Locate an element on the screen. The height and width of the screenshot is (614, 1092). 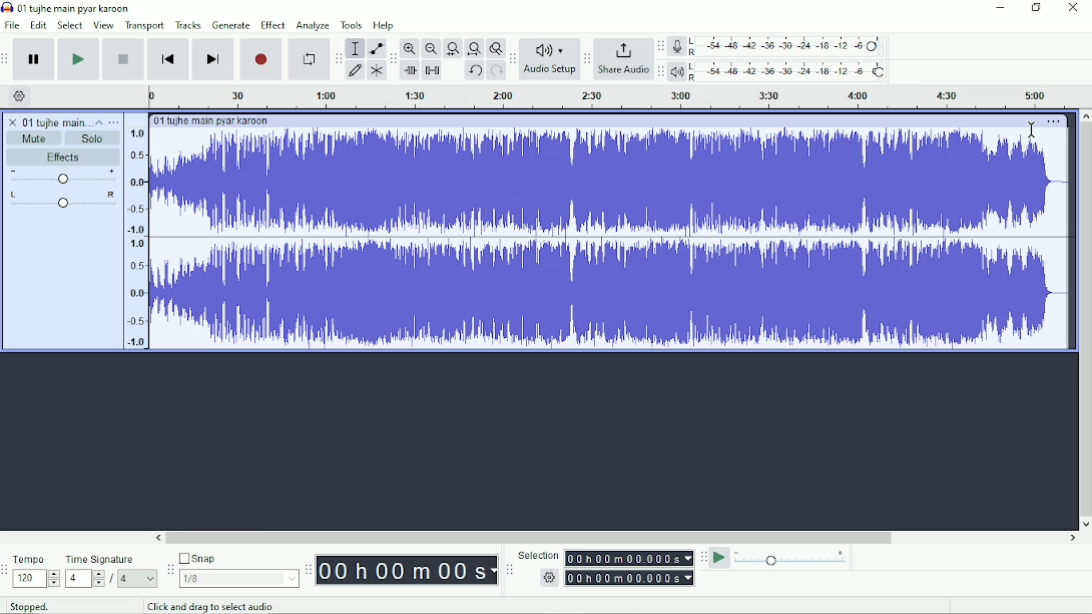
00h00m00s is located at coordinates (408, 571).